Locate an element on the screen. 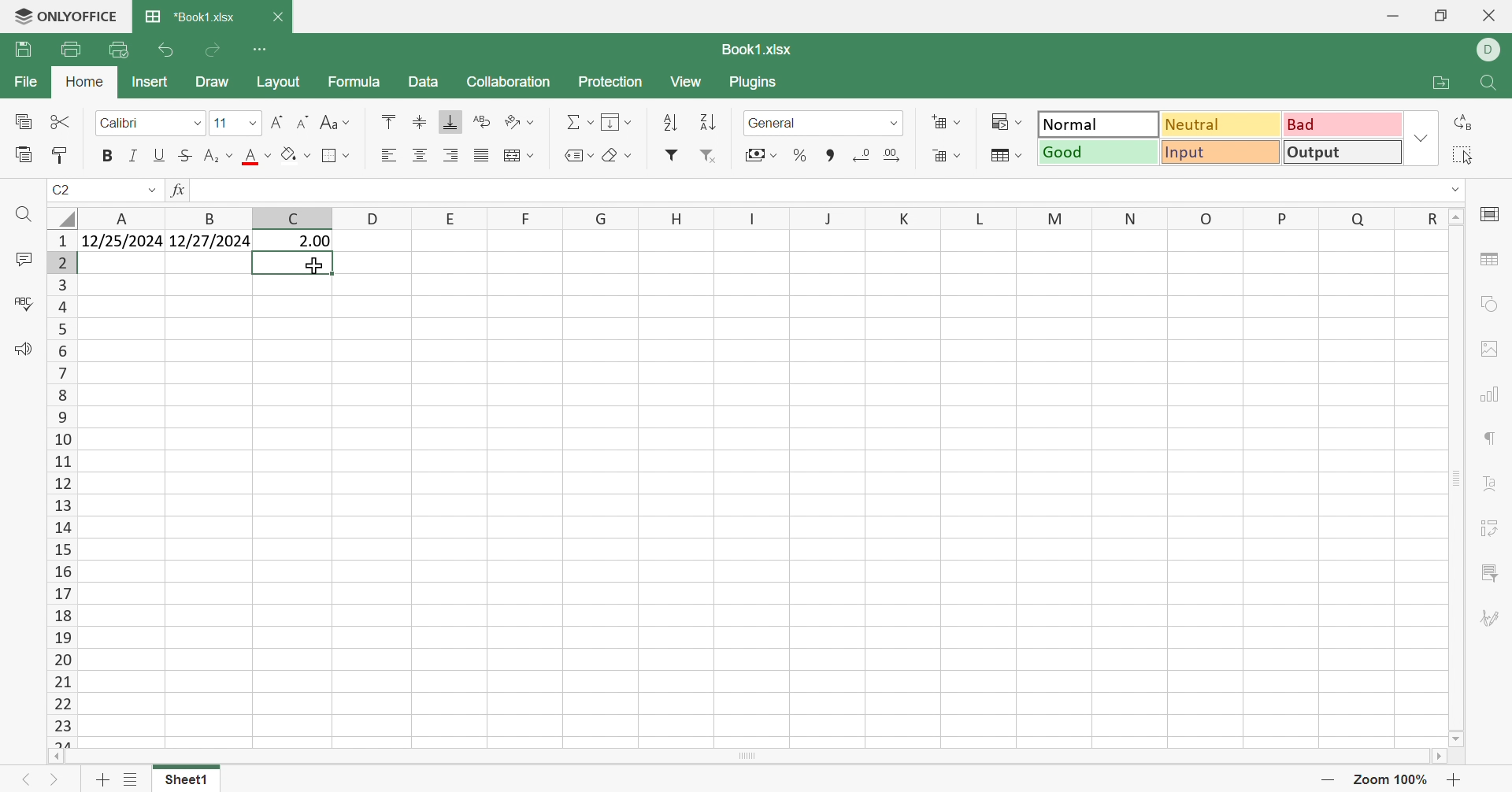  Zoom In is located at coordinates (1456, 779).